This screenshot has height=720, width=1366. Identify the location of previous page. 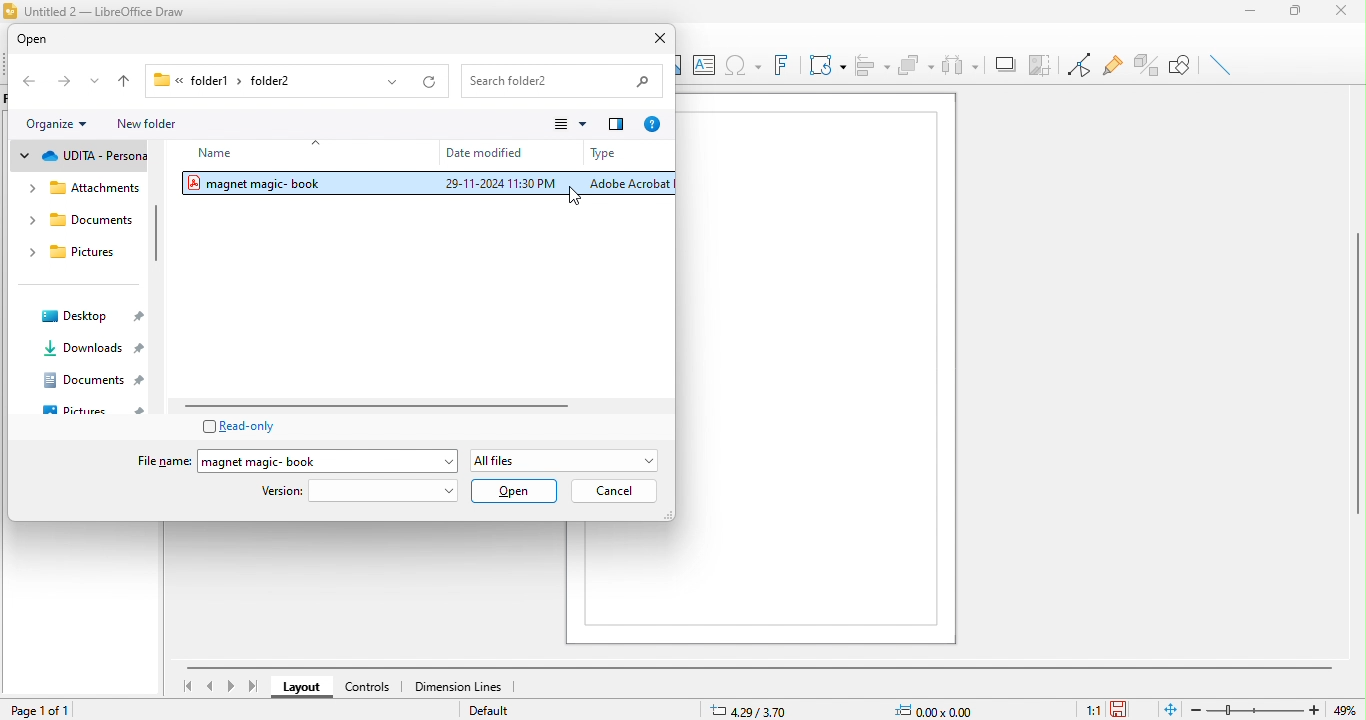
(210, 686).